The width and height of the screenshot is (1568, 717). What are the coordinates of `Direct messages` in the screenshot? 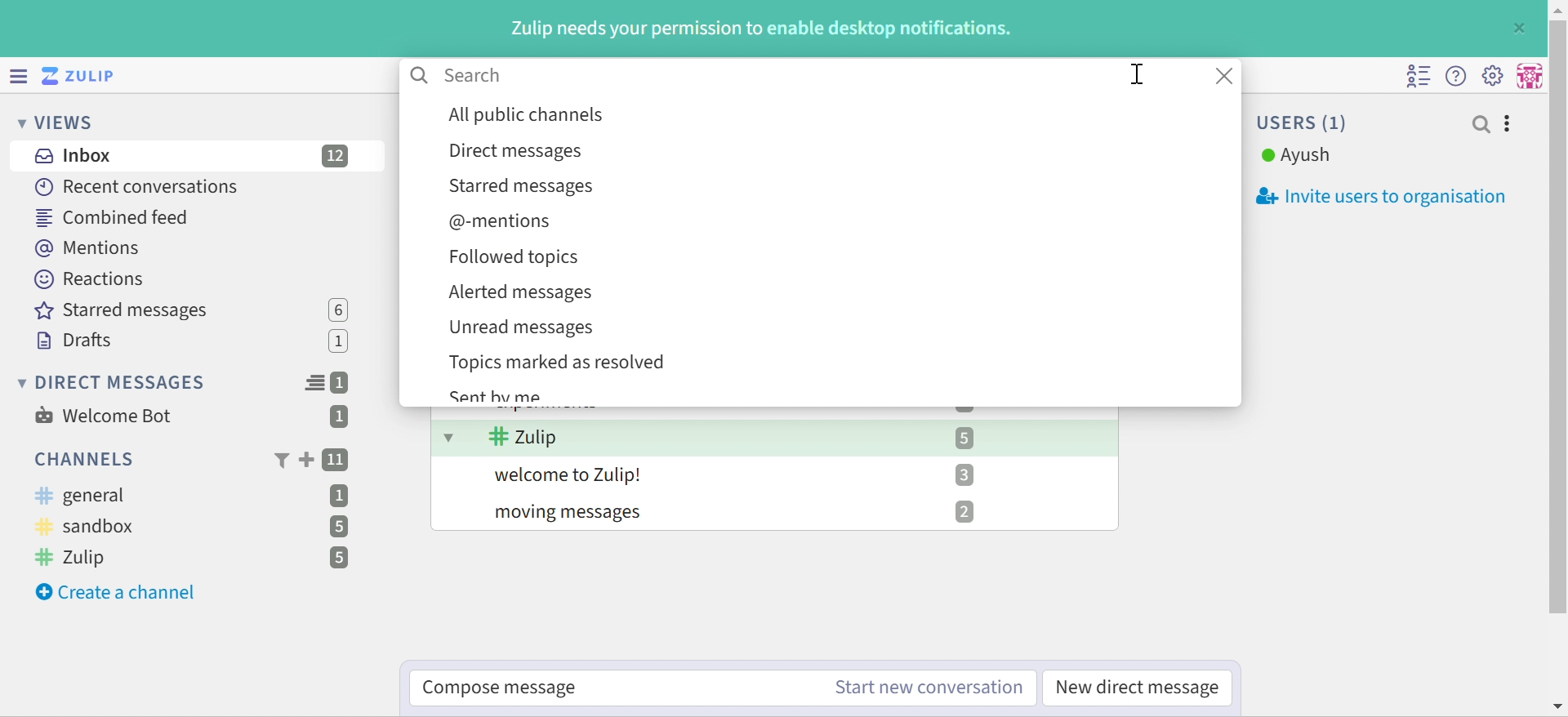 It's located at (514, 153).